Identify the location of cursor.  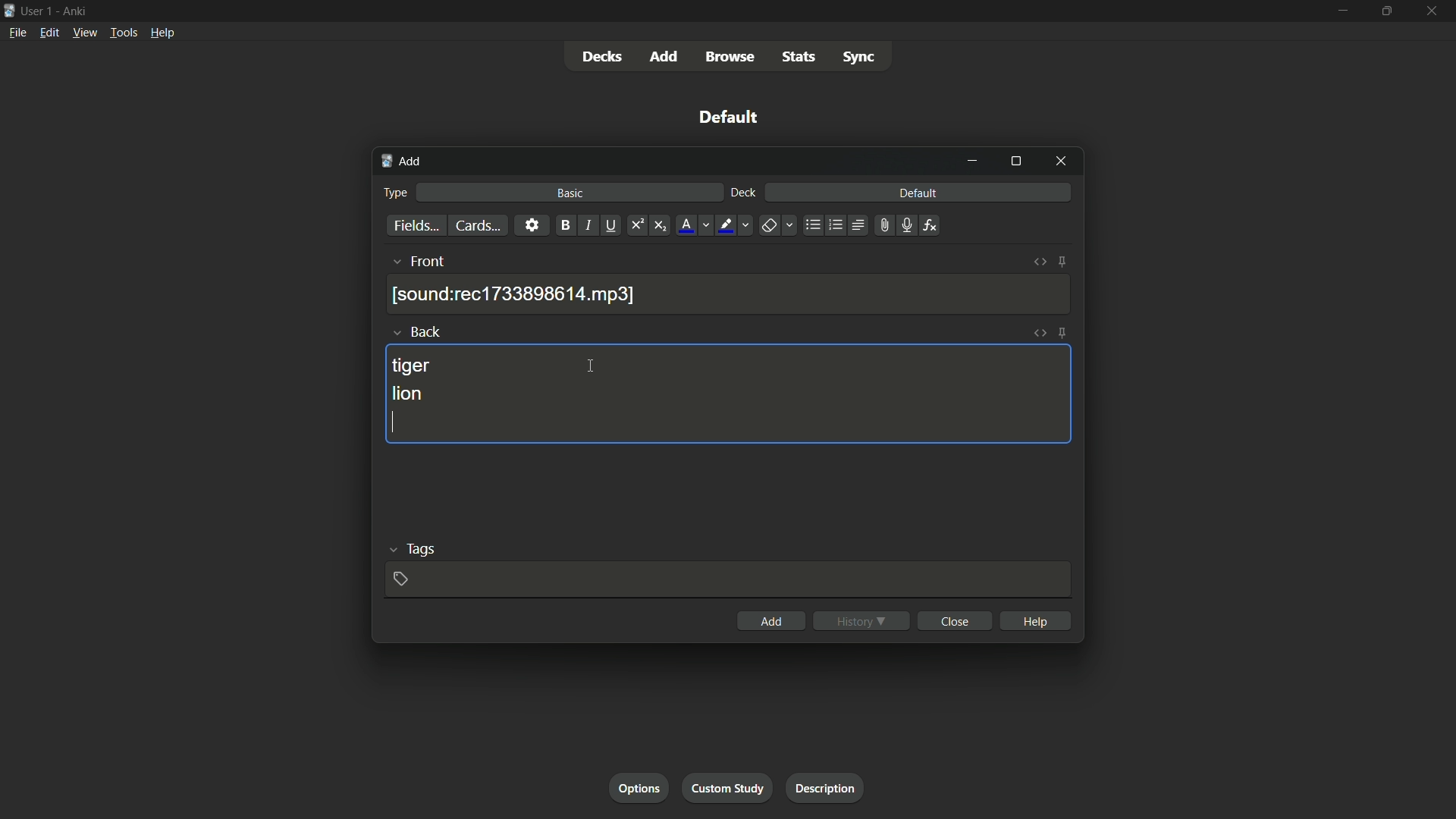
(591, 367).